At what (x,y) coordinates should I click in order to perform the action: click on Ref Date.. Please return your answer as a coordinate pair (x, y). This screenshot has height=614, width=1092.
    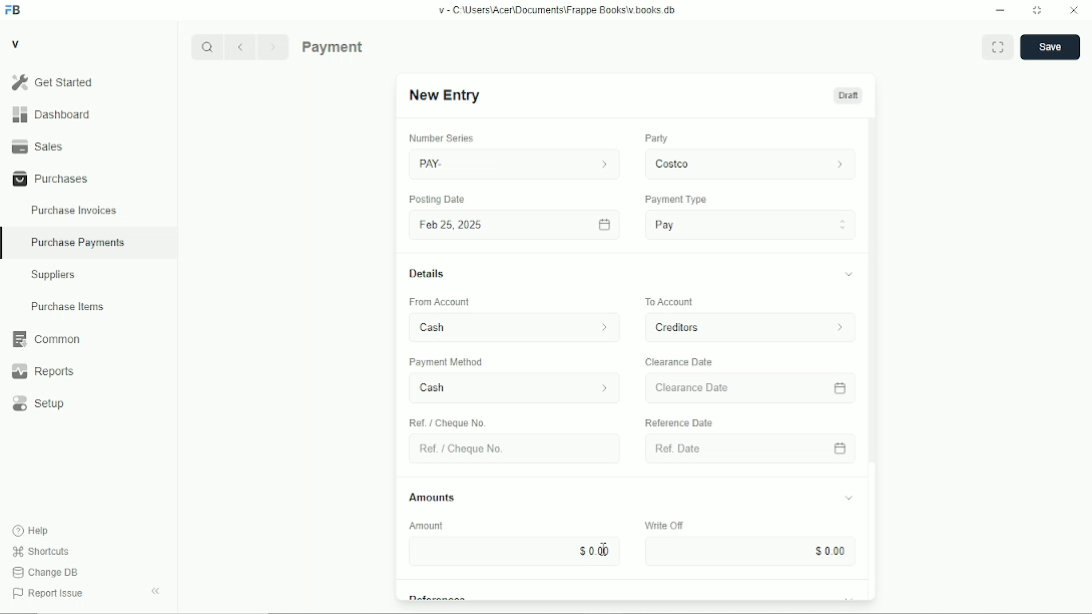
    Looking at the image, I should click on (738, 447).